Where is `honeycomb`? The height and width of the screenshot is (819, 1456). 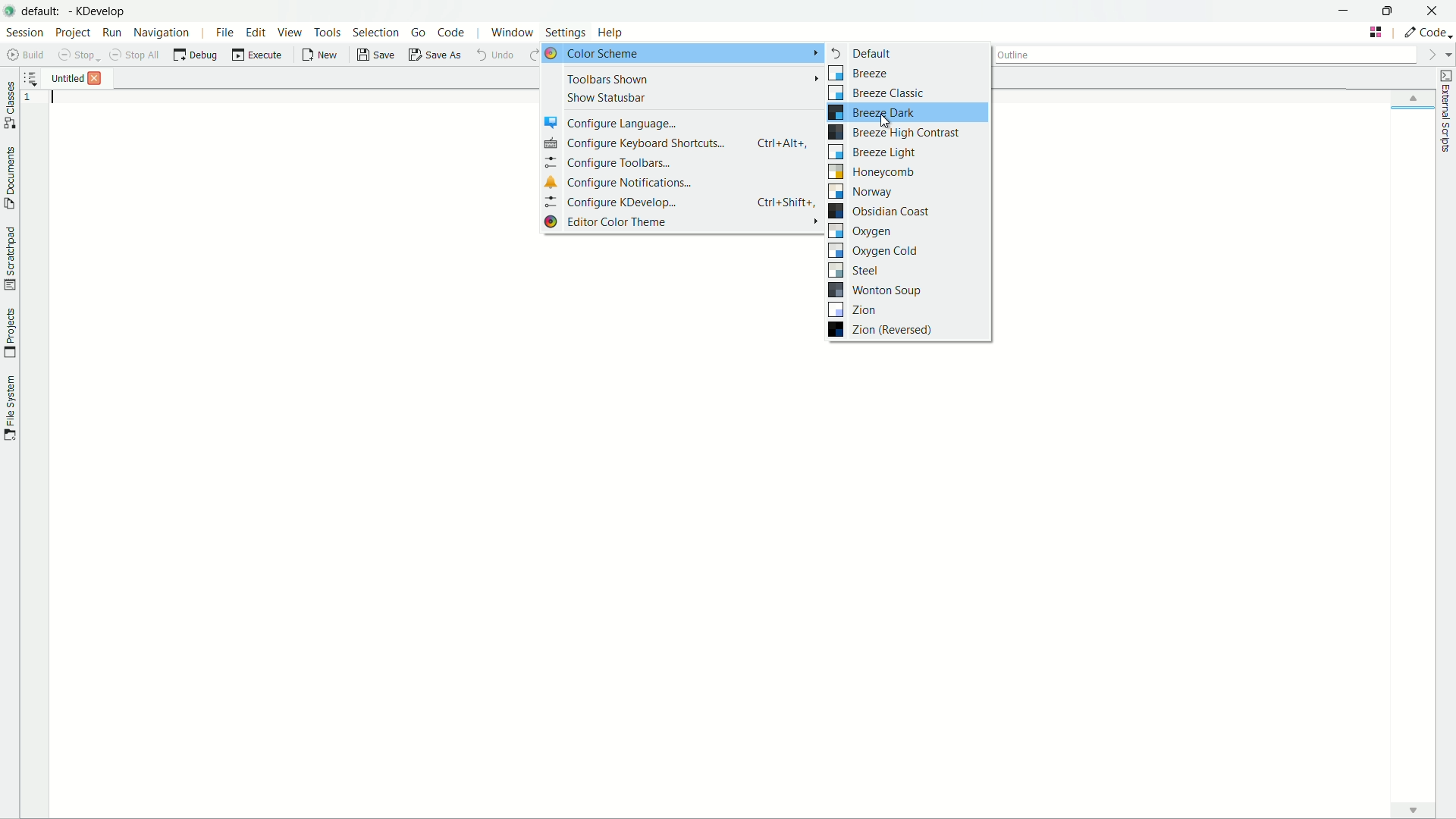 honeycomb is located at coordinates (874, 172).